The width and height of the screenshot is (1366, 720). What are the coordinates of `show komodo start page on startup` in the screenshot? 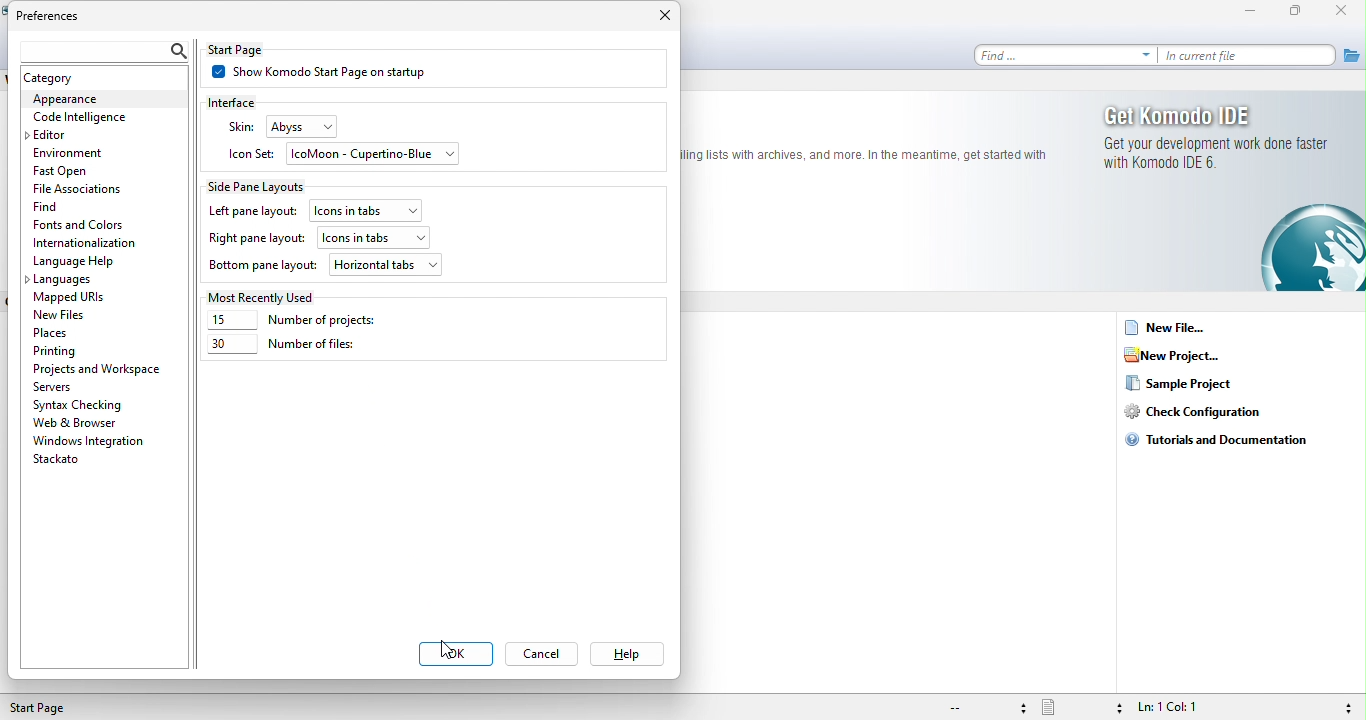 It's located at (333, 74).